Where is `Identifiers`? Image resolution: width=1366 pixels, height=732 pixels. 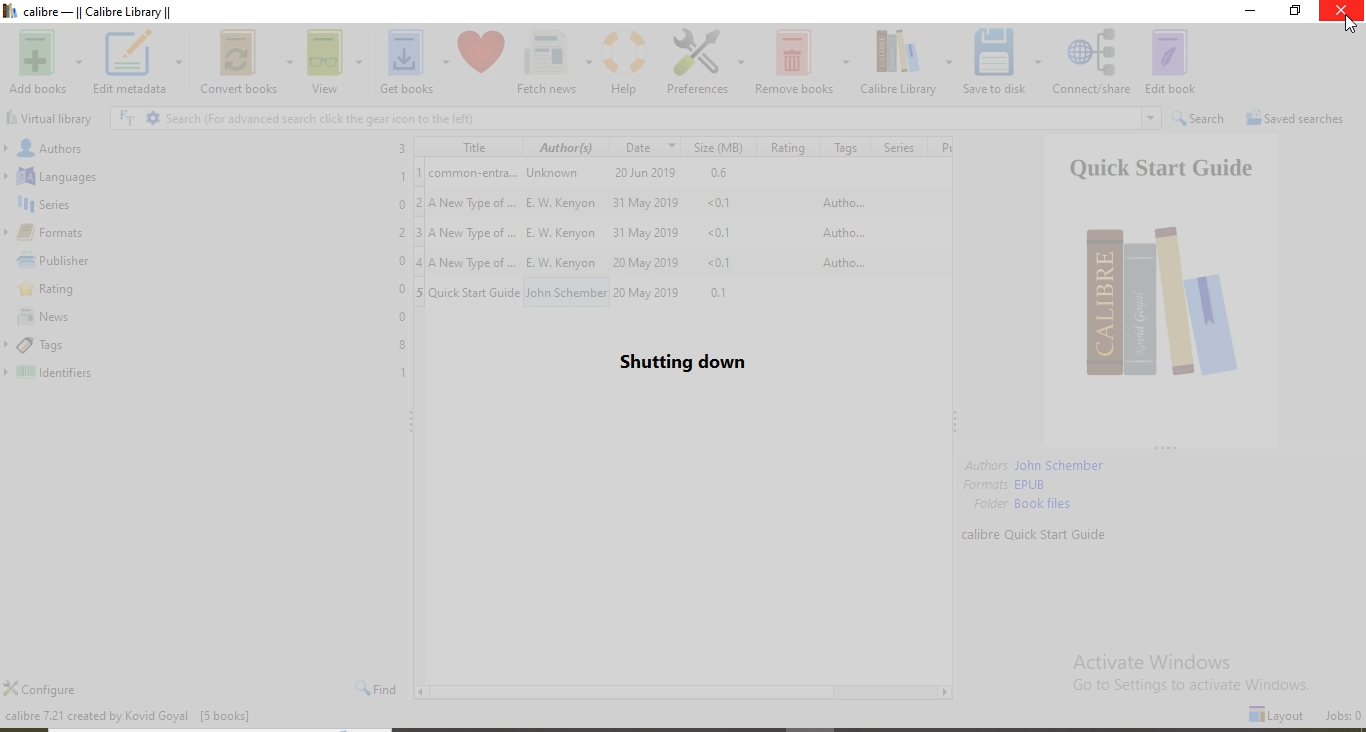
Identifiers is located at coordinates (206, 373).